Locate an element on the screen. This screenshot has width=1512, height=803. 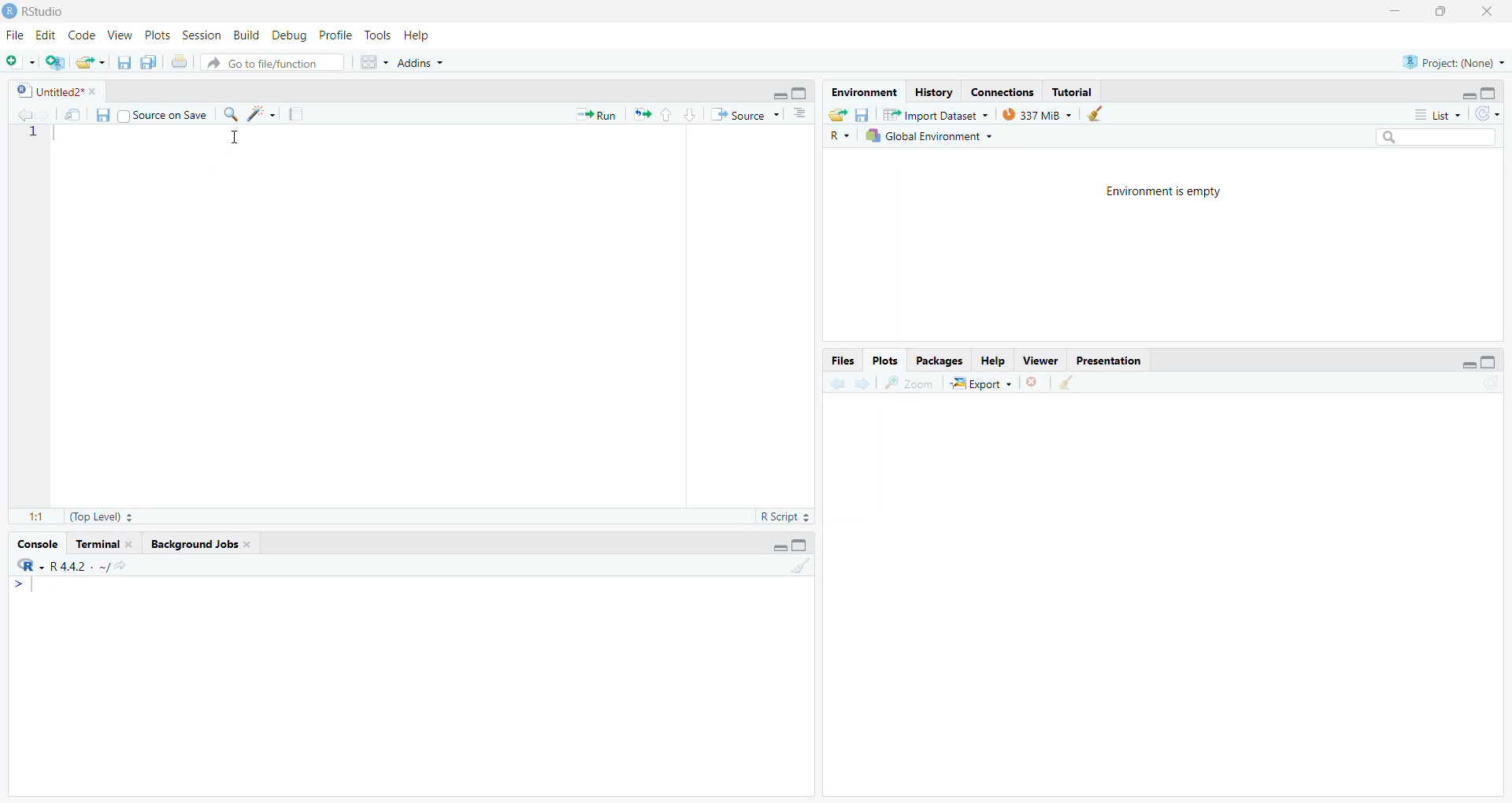
History is located at coordinates (932, 93).